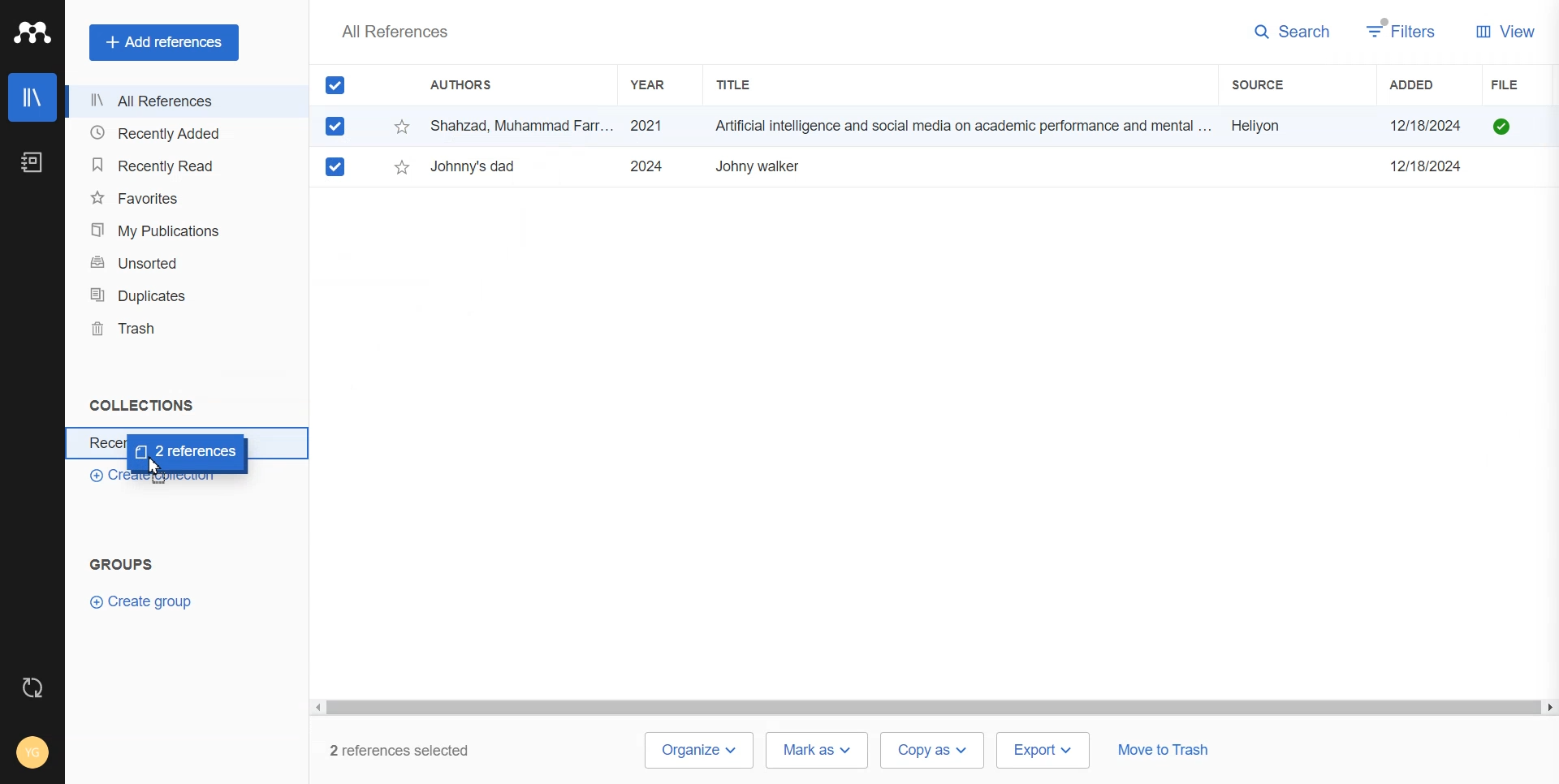 This screenshot has width=1559, height=784. What do you see at coordinates (317, 708) in the screenshot?
I see `scroll left` at bounding box center [317, 708].